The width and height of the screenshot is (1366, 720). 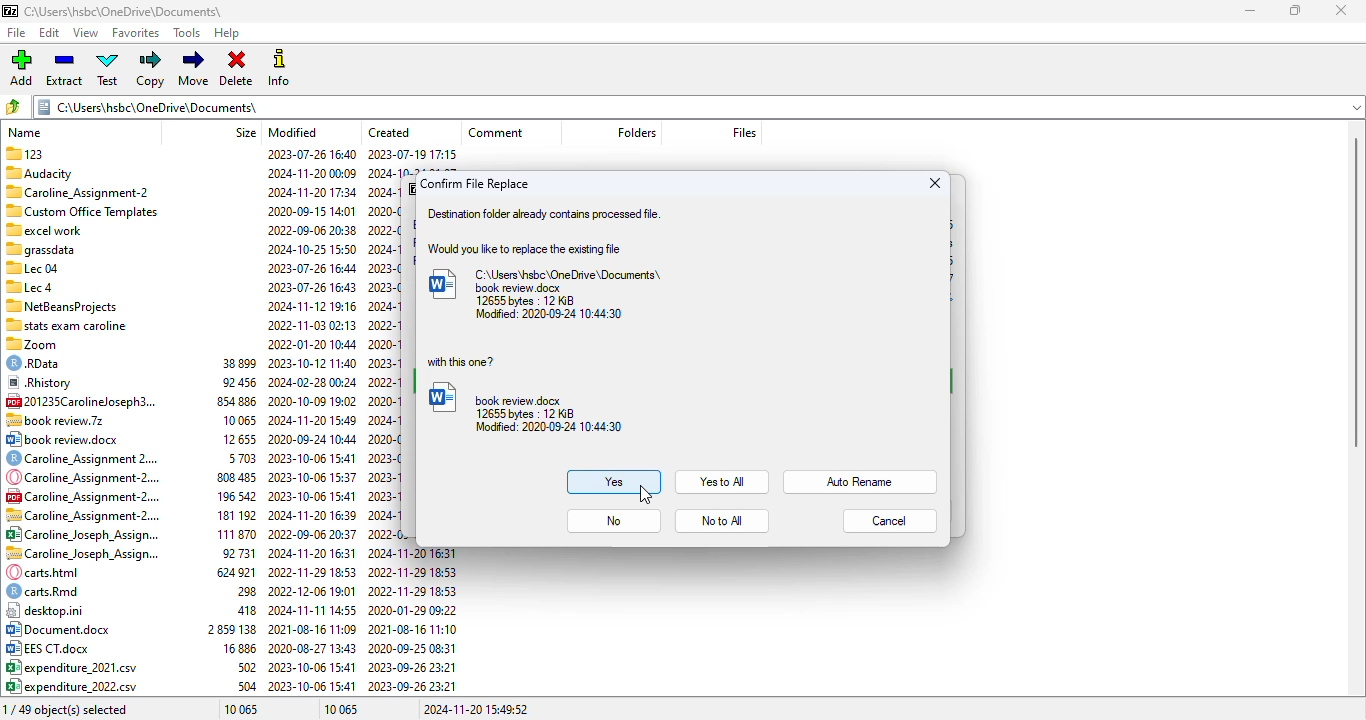 I want to click on no, so click(x=616, y=521).